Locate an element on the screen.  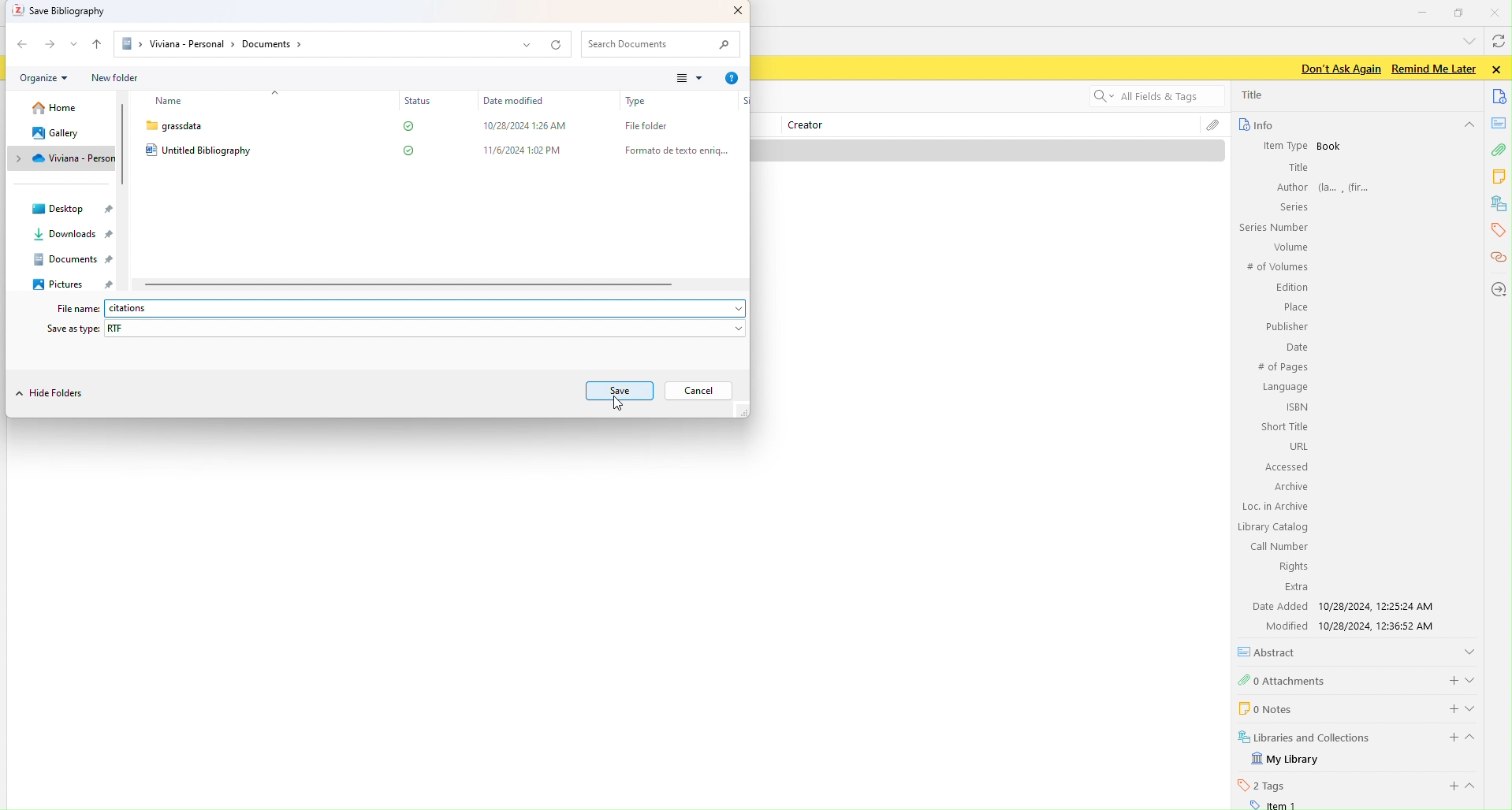
show is located at coordinates (1469, 650).